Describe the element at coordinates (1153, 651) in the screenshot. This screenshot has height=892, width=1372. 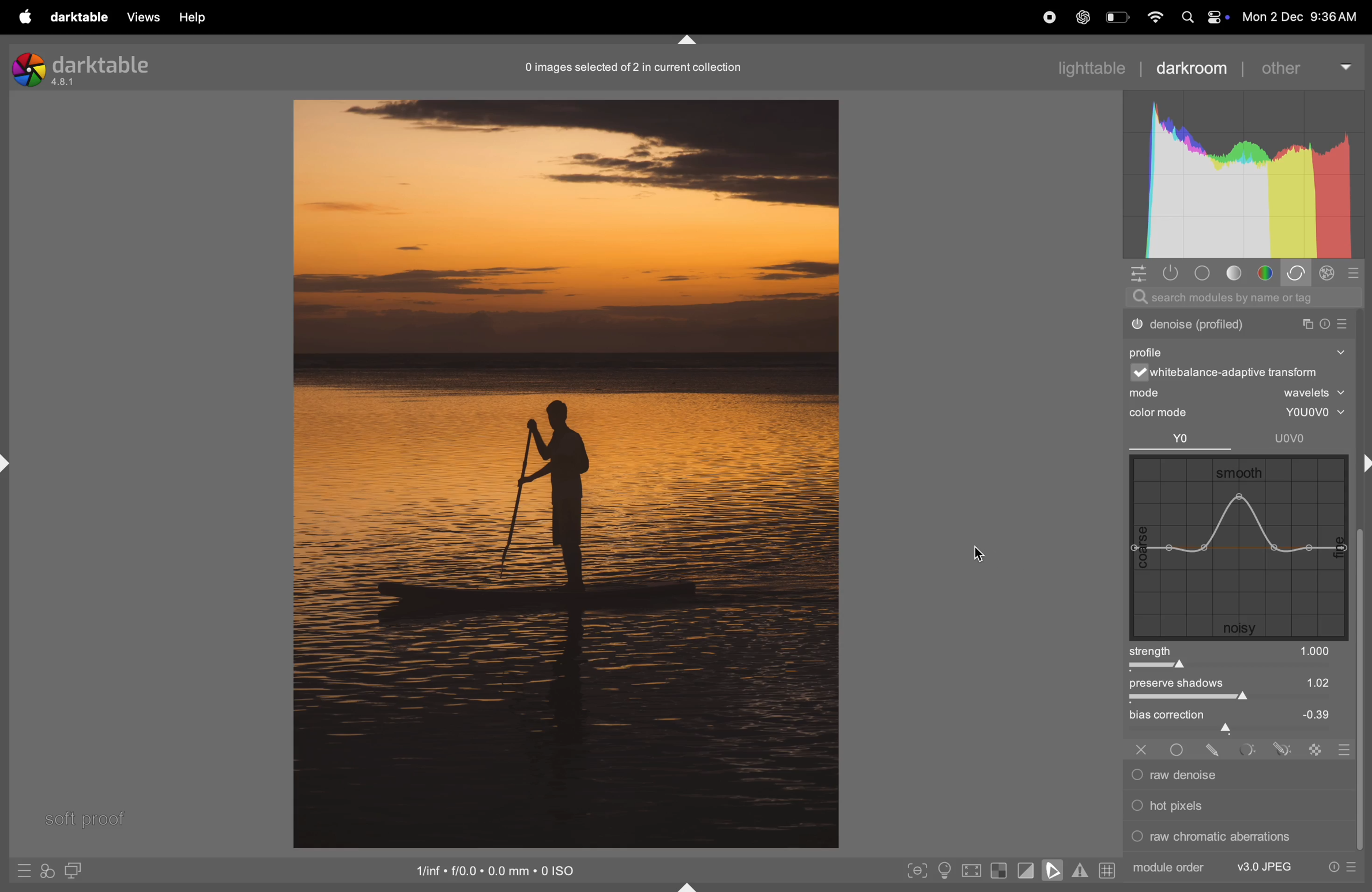
I see `strength` at that location.